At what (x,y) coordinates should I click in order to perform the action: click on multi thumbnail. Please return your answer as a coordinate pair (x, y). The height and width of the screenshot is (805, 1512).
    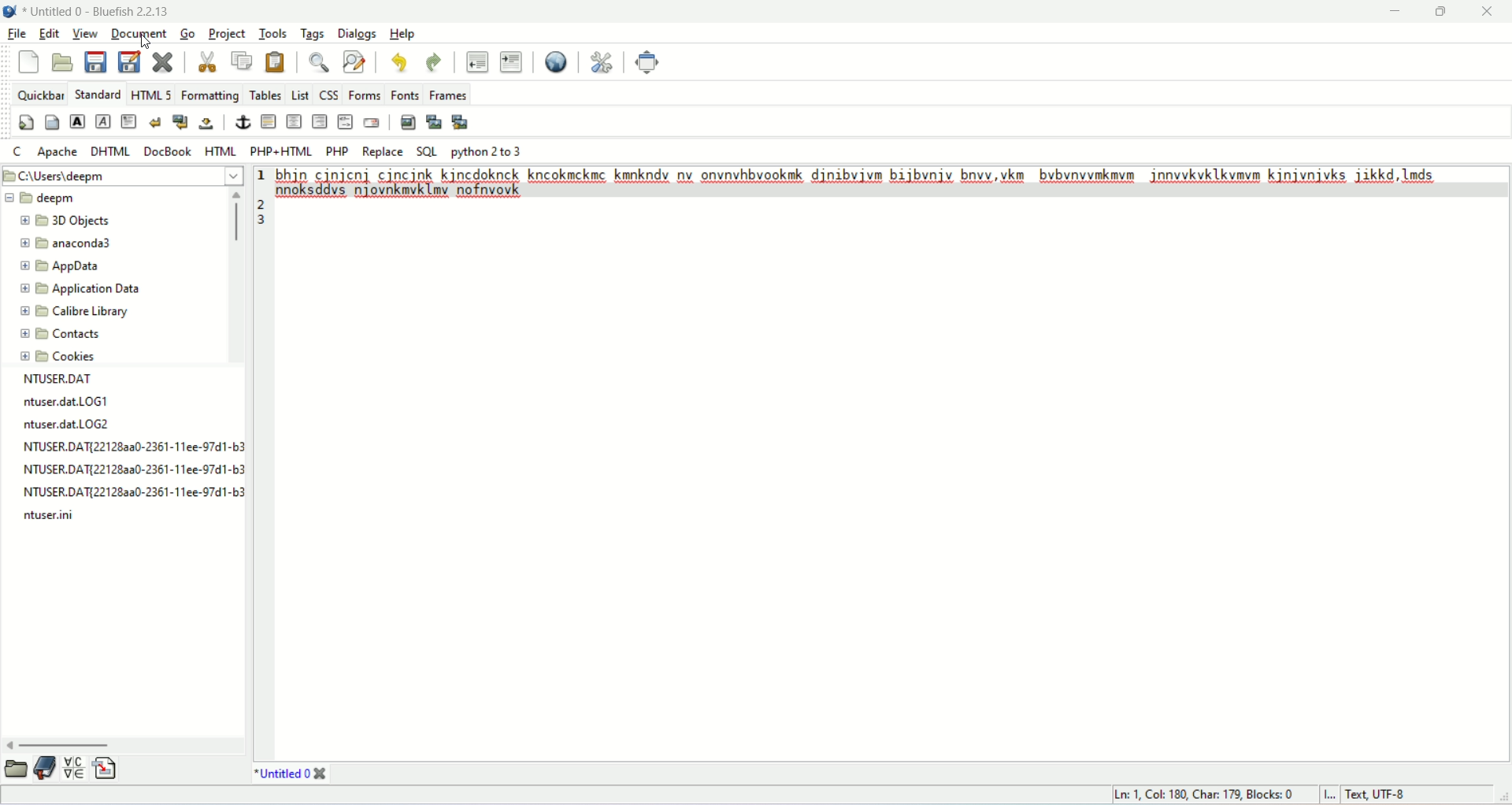
    Looking at the image, I should click on (464, 121).